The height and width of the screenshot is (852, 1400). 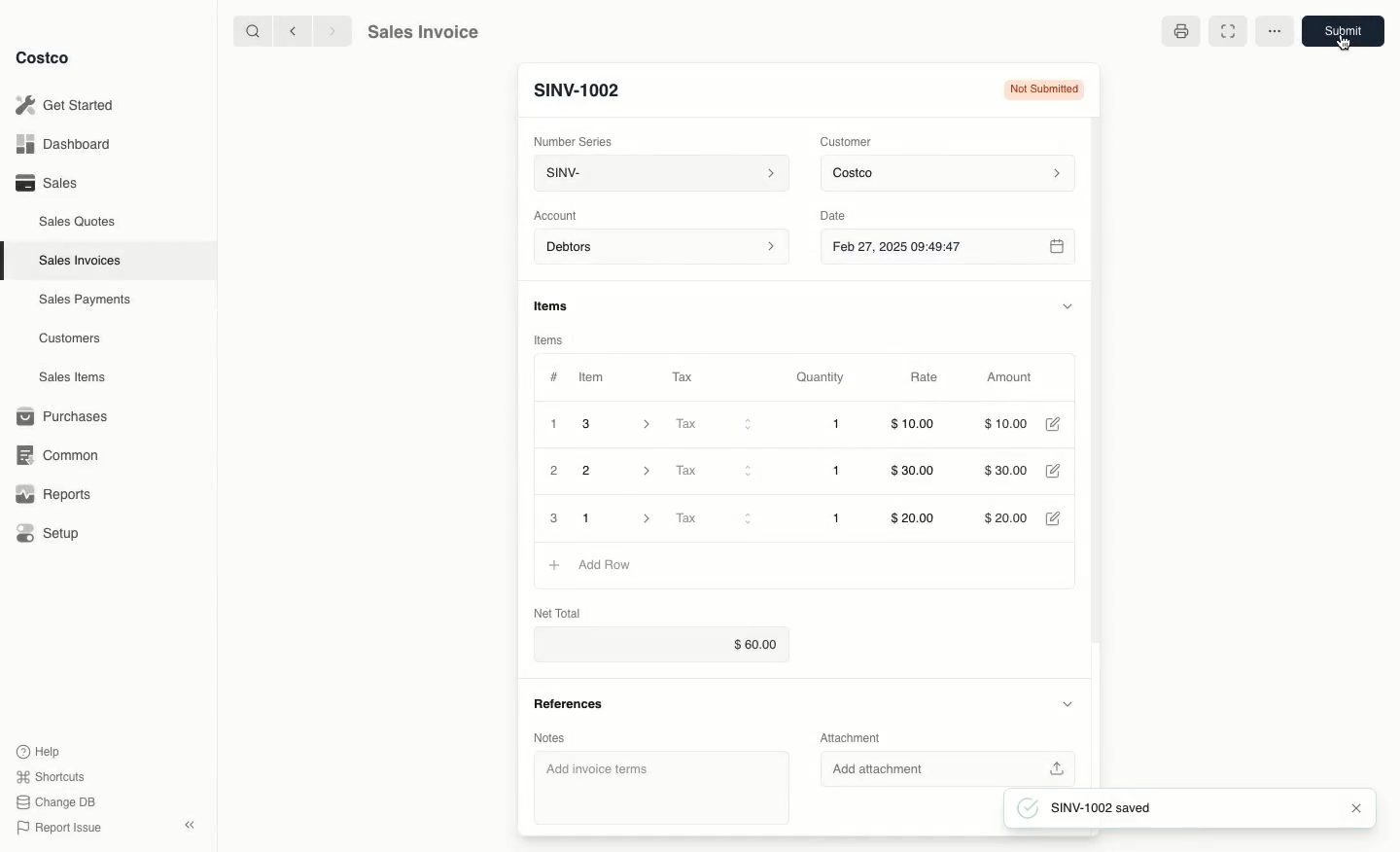 I want to click on 1, so click(x=554, y=424).